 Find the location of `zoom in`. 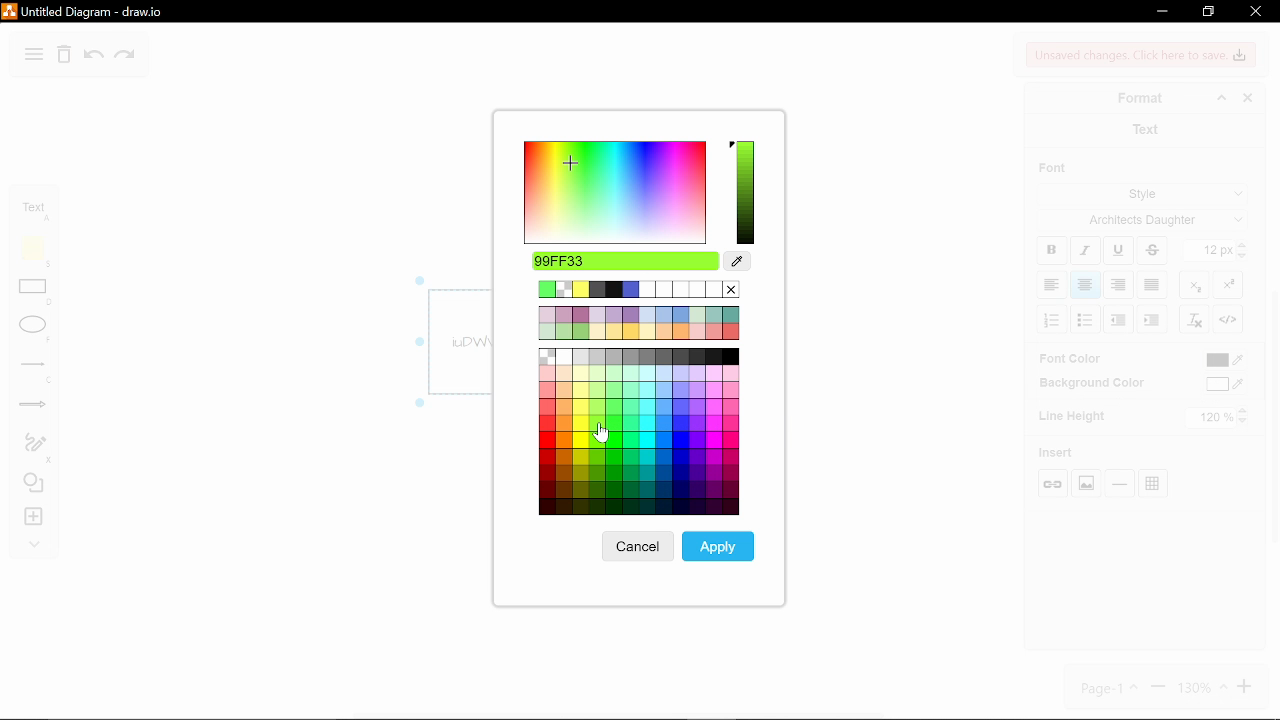

zoom in is located at coordinates (1242, 690).